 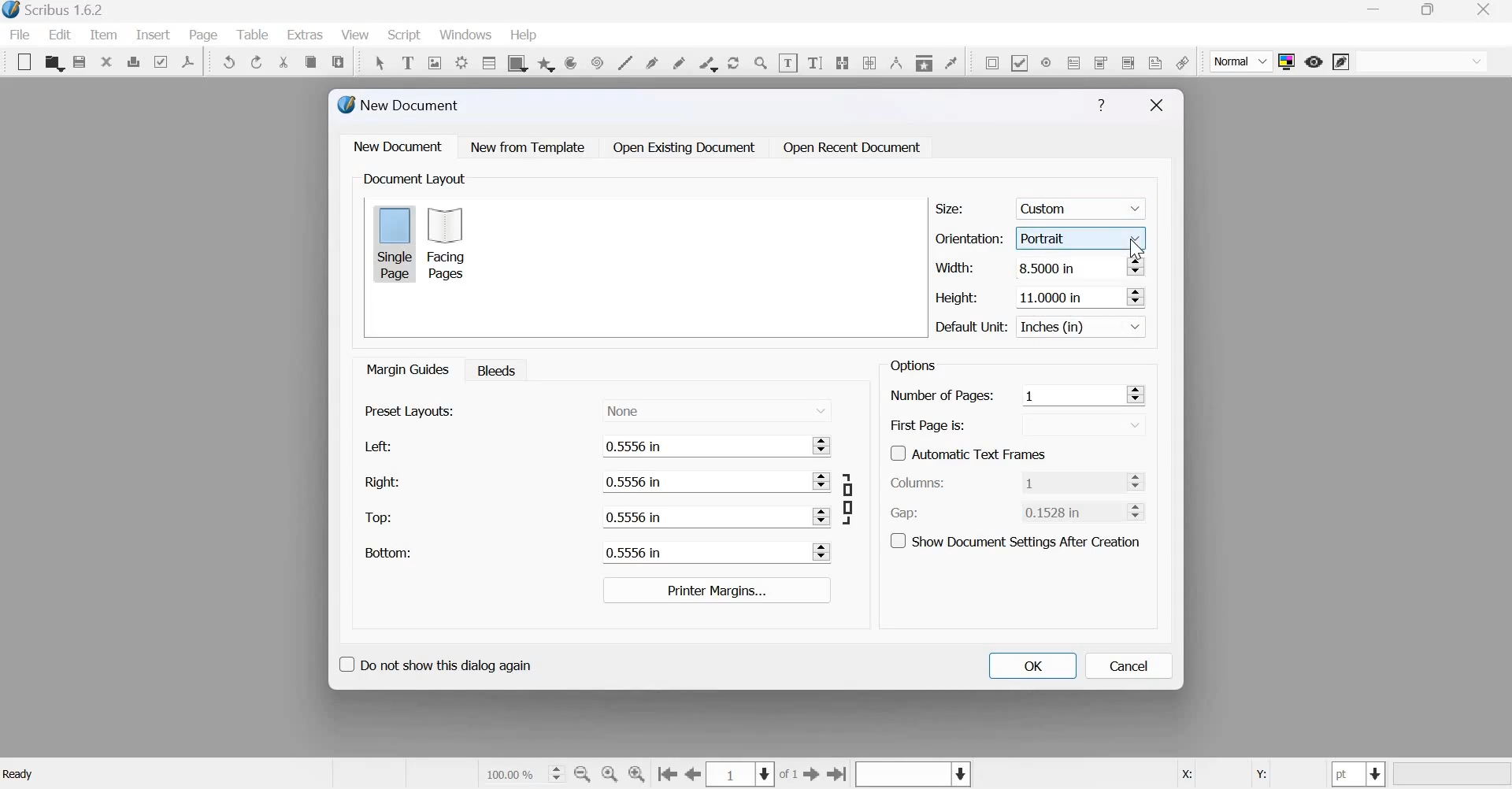 I want to click on Select the current layer, so click(x=911, y=775).